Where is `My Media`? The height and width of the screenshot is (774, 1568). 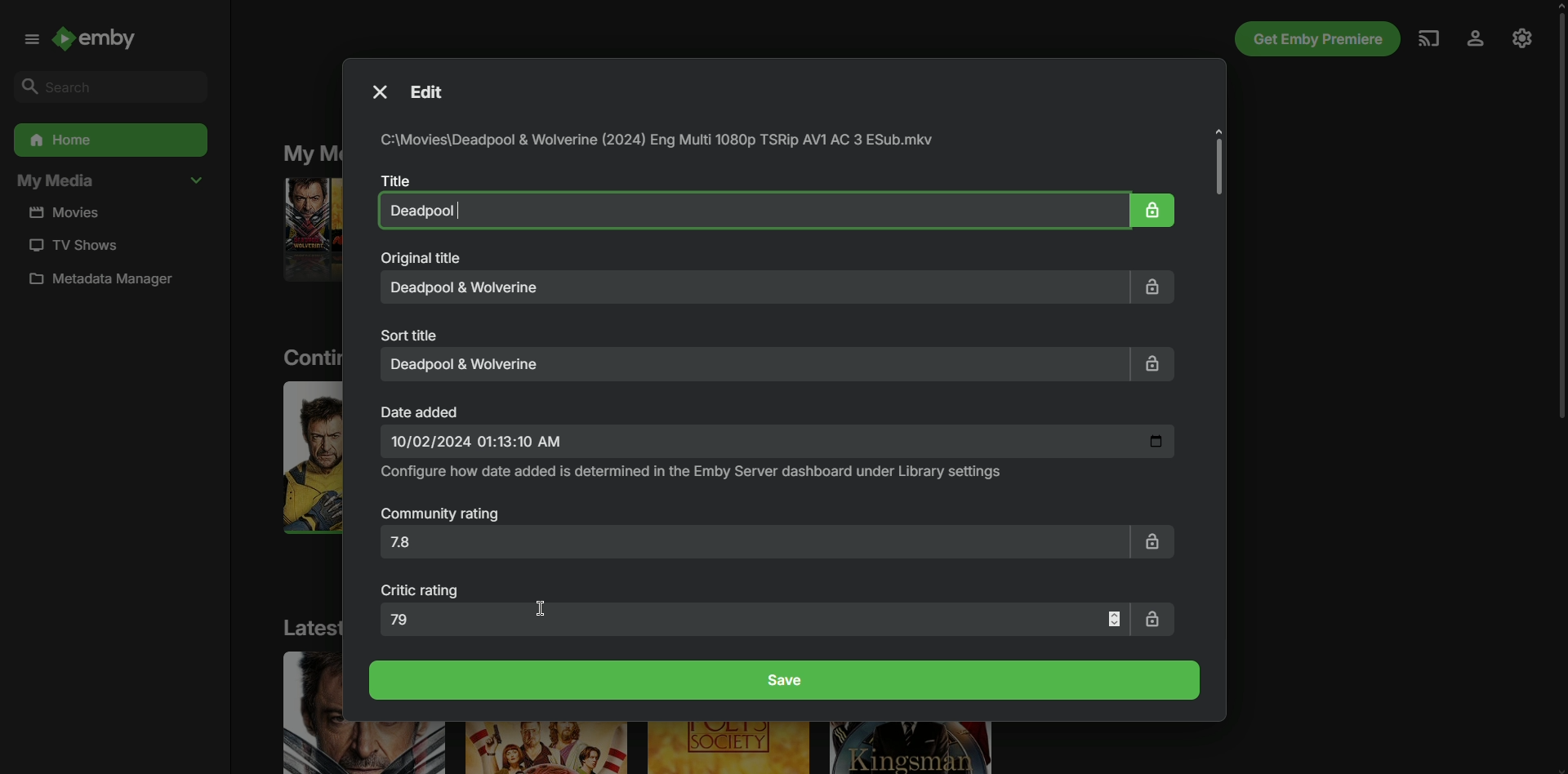
My Media is located at coordinates (110, 182).